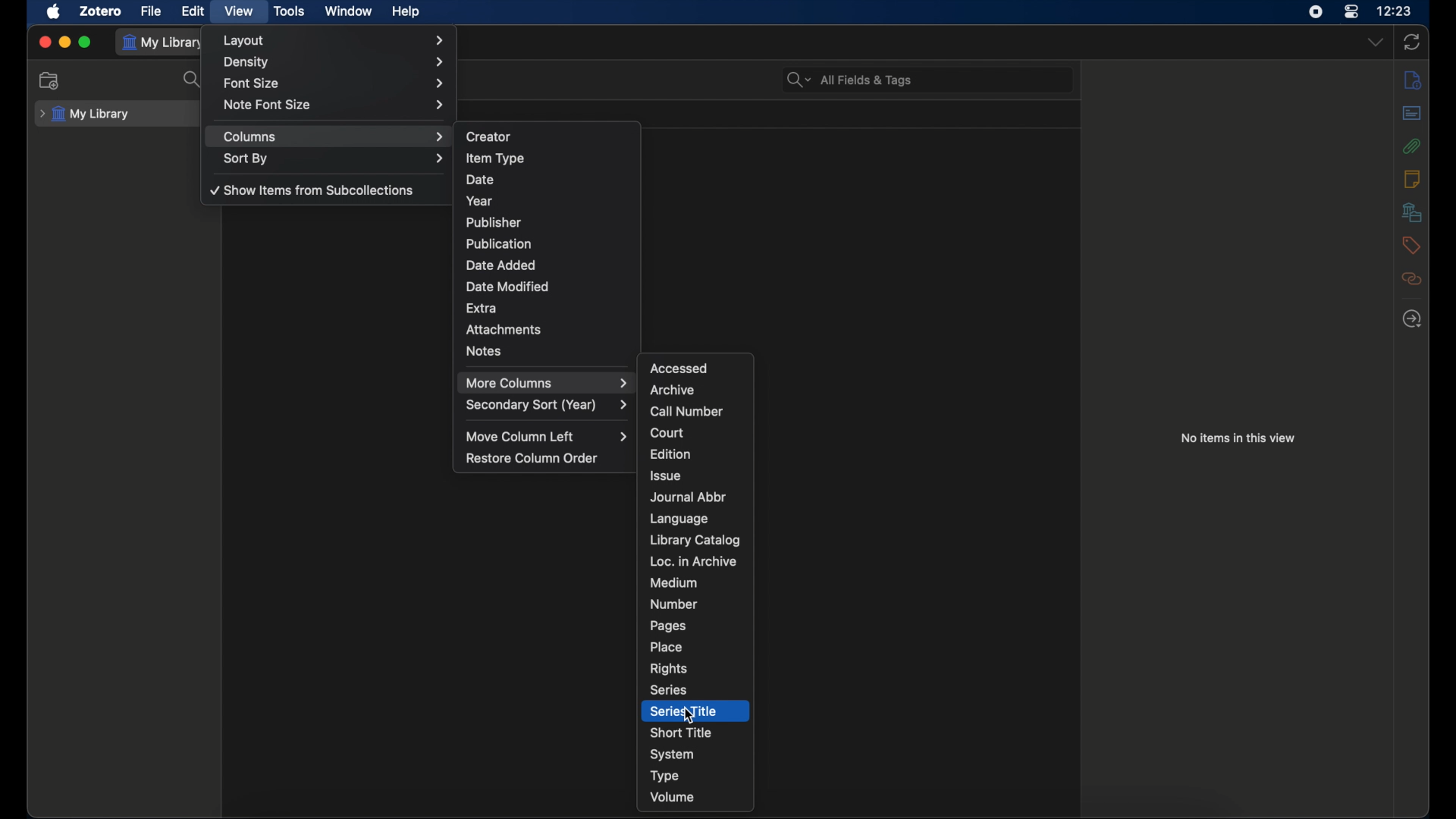 This screenshot has height=819, width=1456. I want to click on columns, so click(334, 137).